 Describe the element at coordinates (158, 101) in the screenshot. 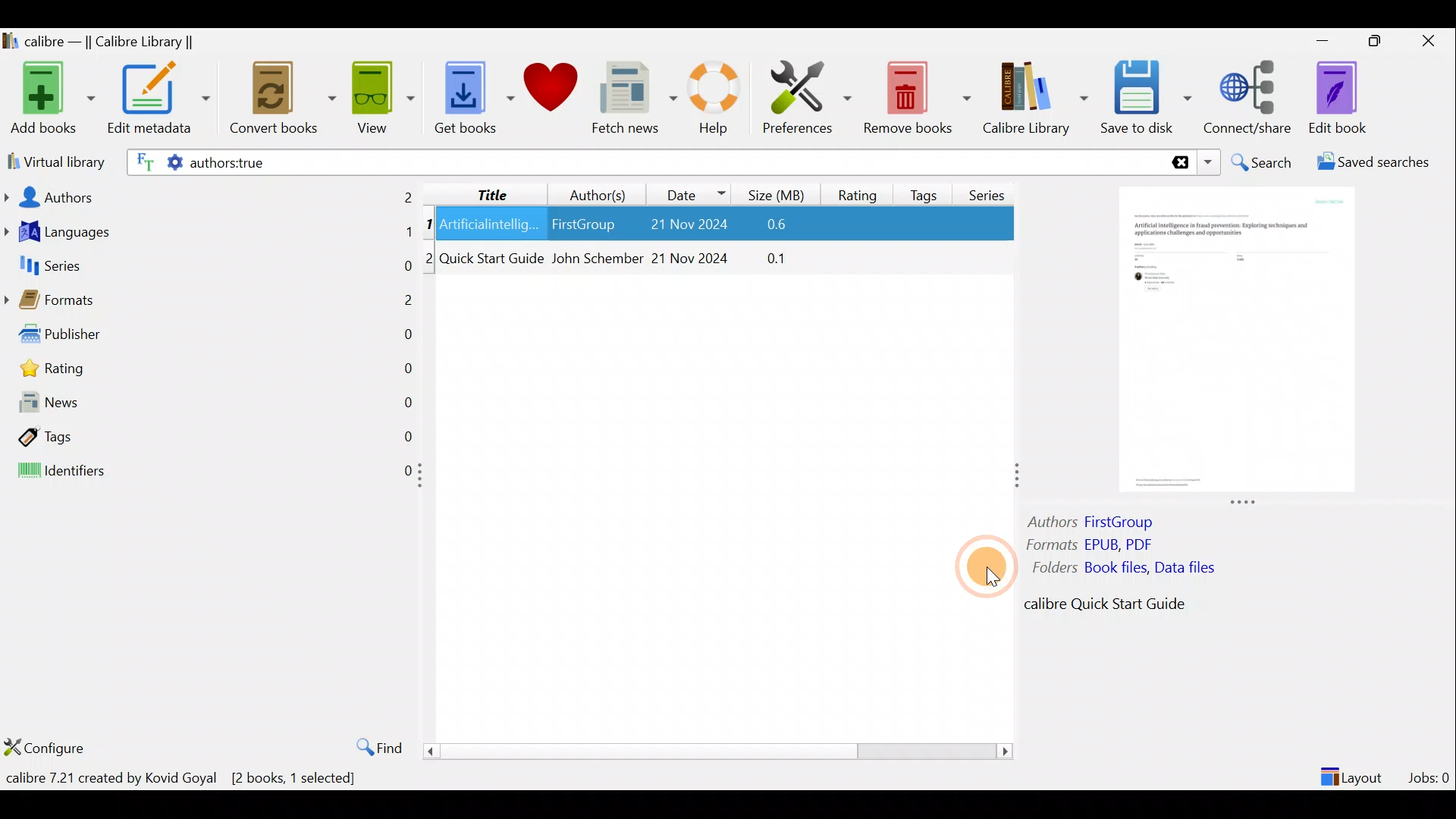

I see `Edit metadata` at that location.